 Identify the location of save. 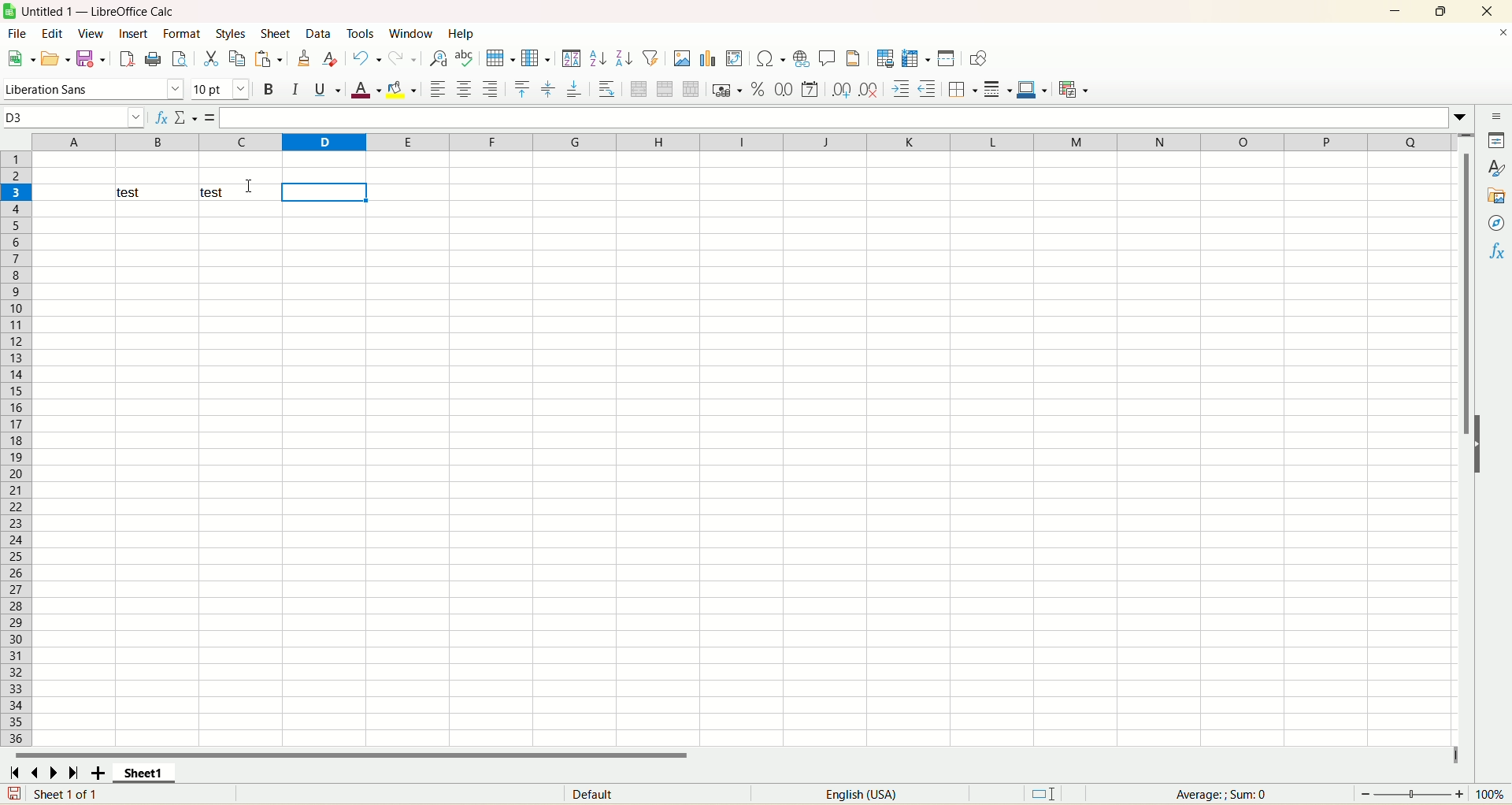
(90, 59).